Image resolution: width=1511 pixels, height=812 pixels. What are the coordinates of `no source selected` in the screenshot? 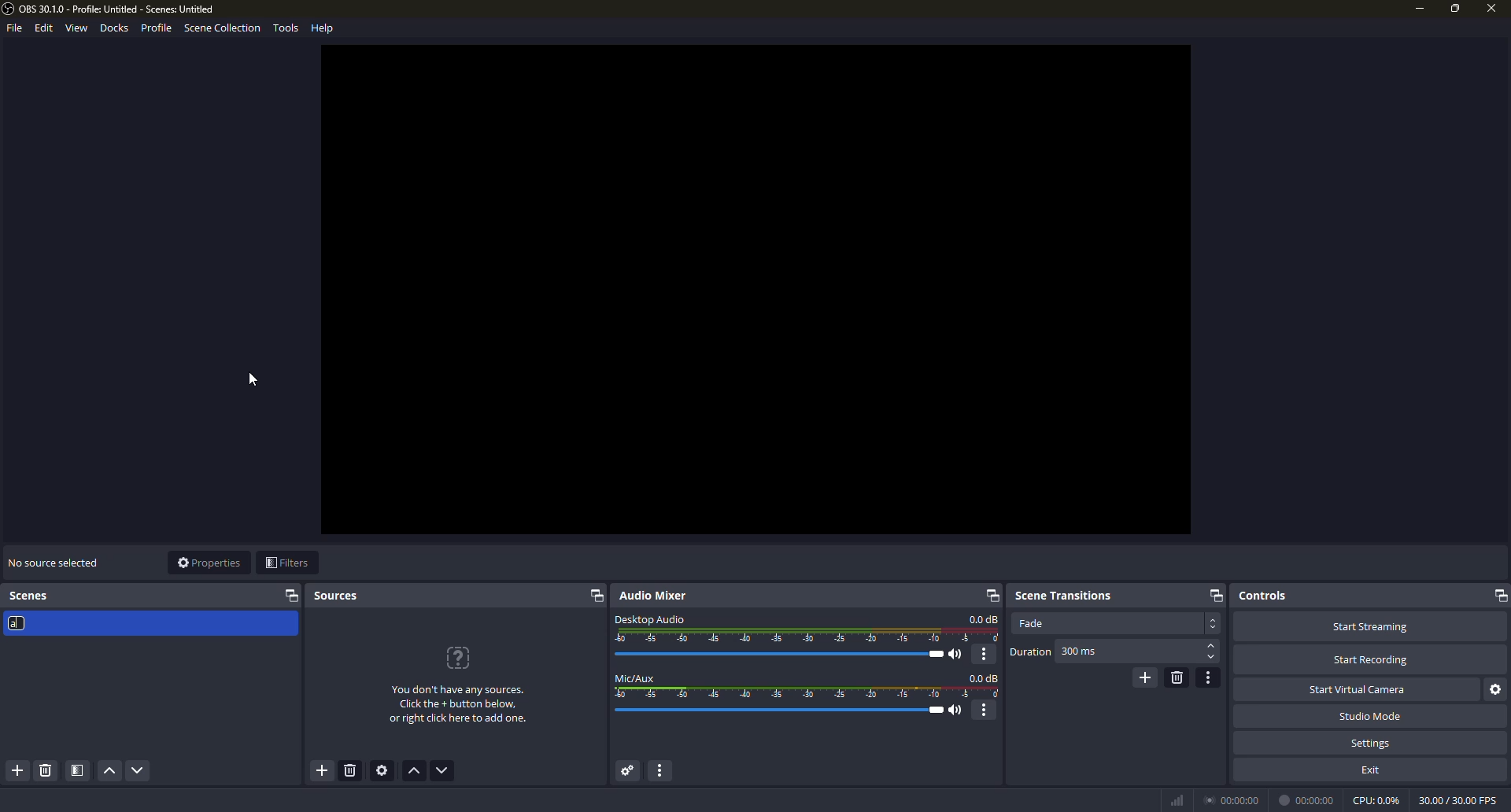 It's located at (53, 561).